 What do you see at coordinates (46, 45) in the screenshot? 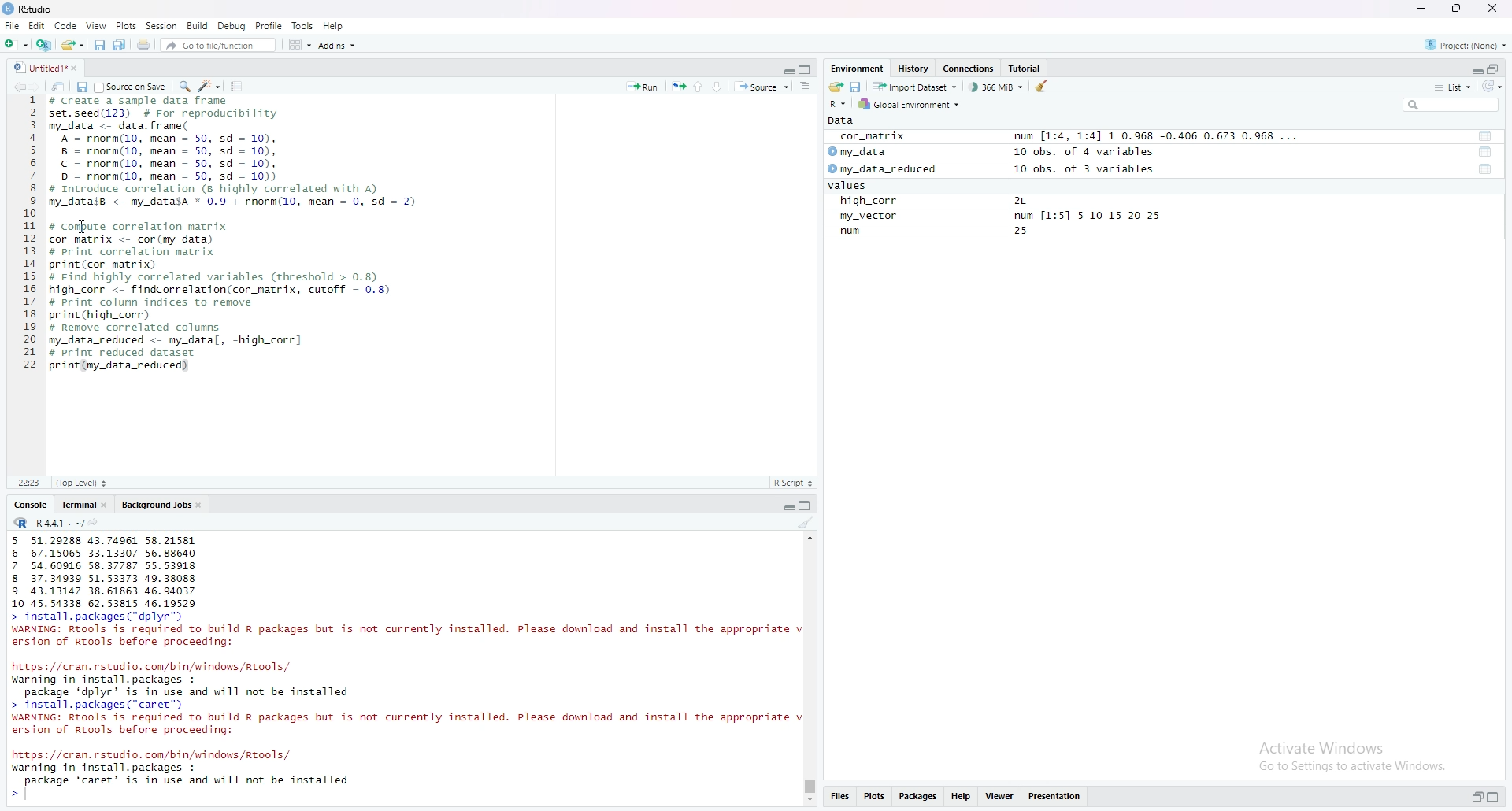
I see `add file` at bounding box center [46, 45].